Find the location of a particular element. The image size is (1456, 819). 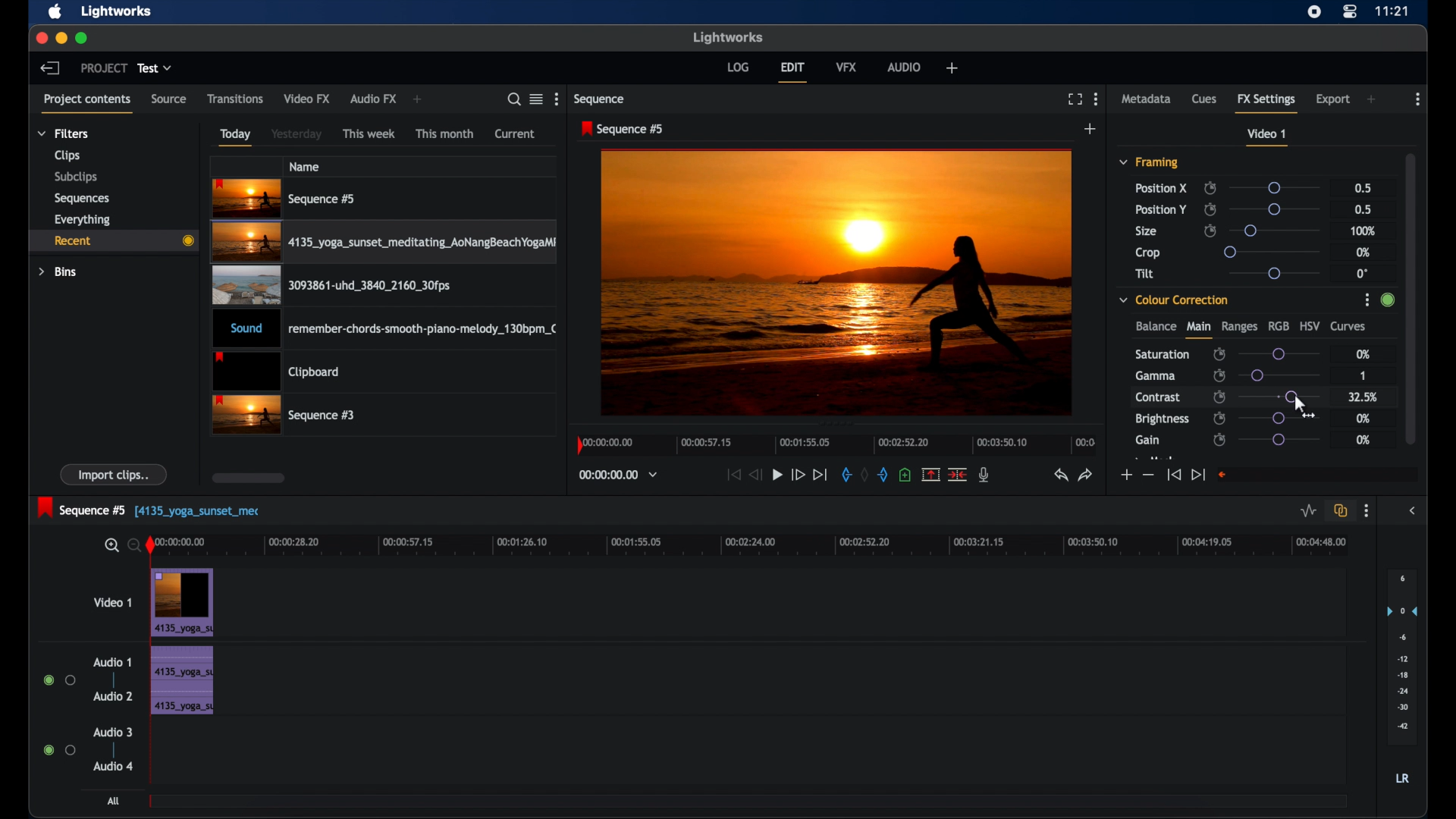

edit is located at coordinates (792, 72).